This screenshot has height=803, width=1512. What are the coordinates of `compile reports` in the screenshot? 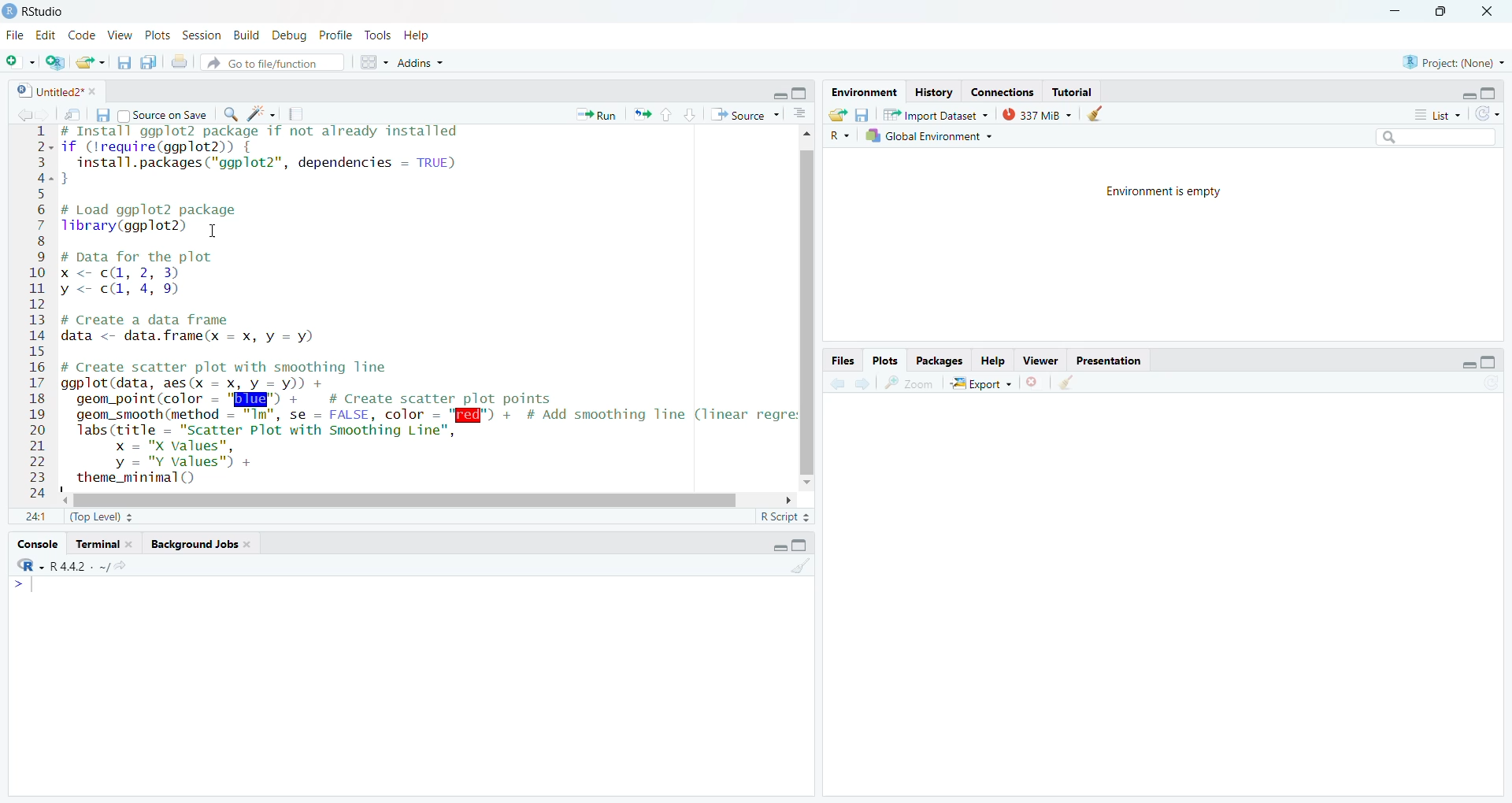 It's located at (298, 116).